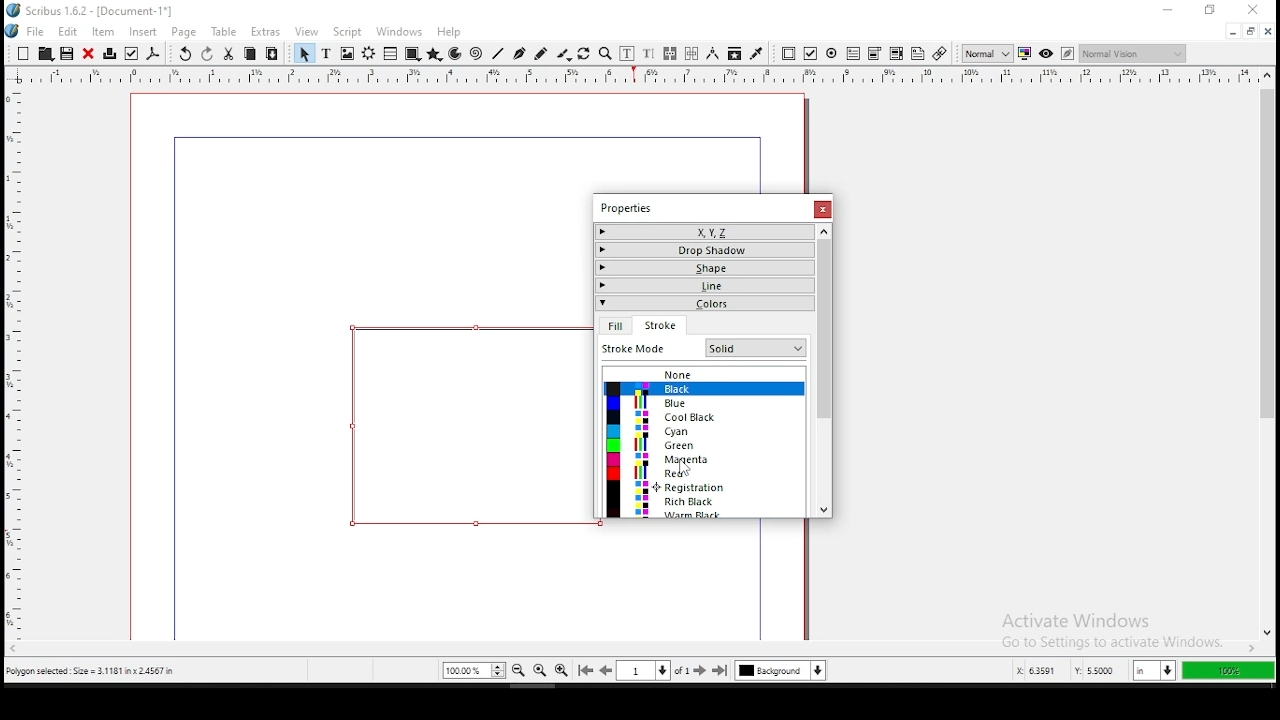  I want to click on copy item properties, so click(734, 54).